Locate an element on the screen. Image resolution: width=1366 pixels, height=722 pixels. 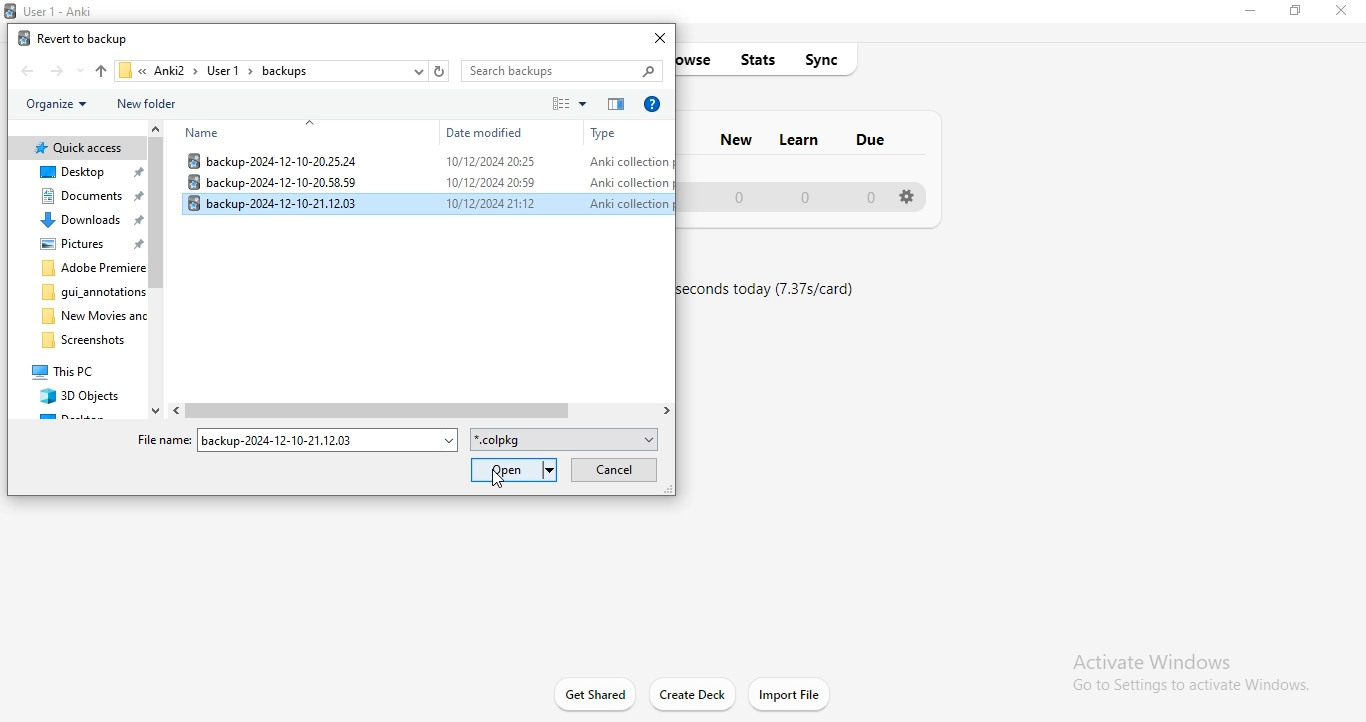
selected file is located at coordinates (428, 205).